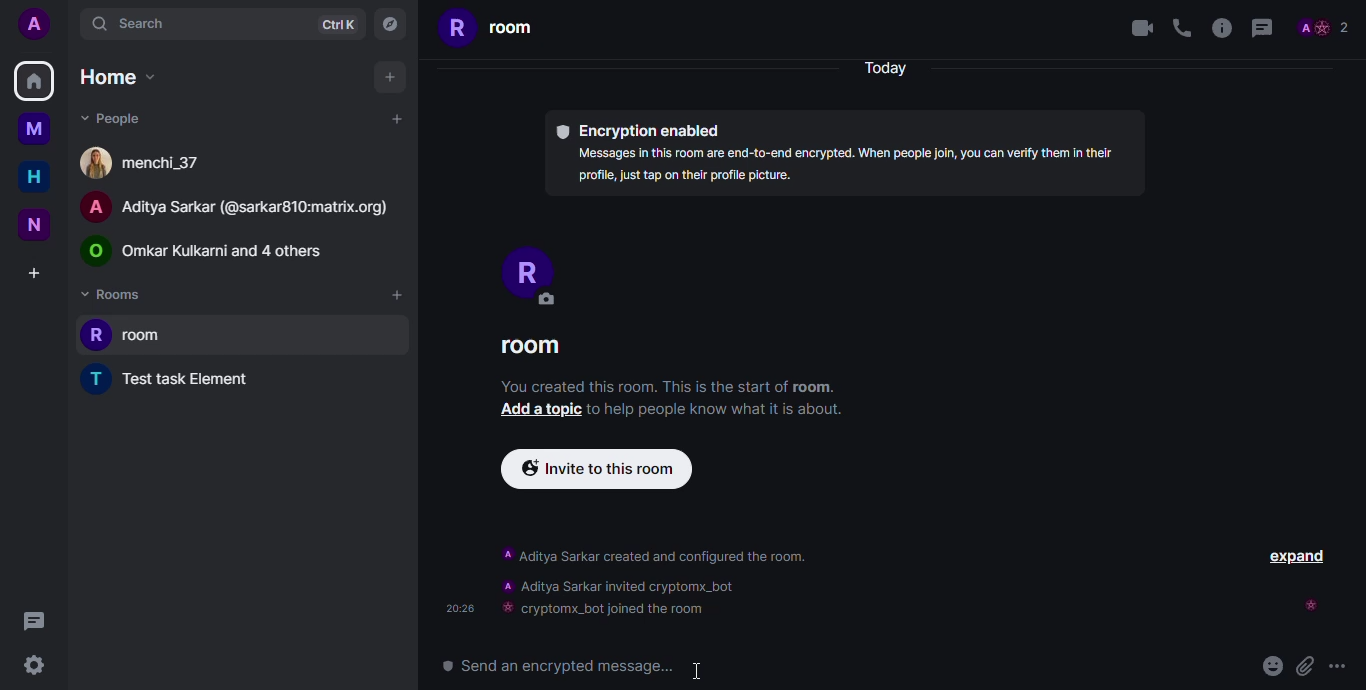 The image size is (1366, 690). I want to click on cryptomx_bot joined the room, so click(610, 610).